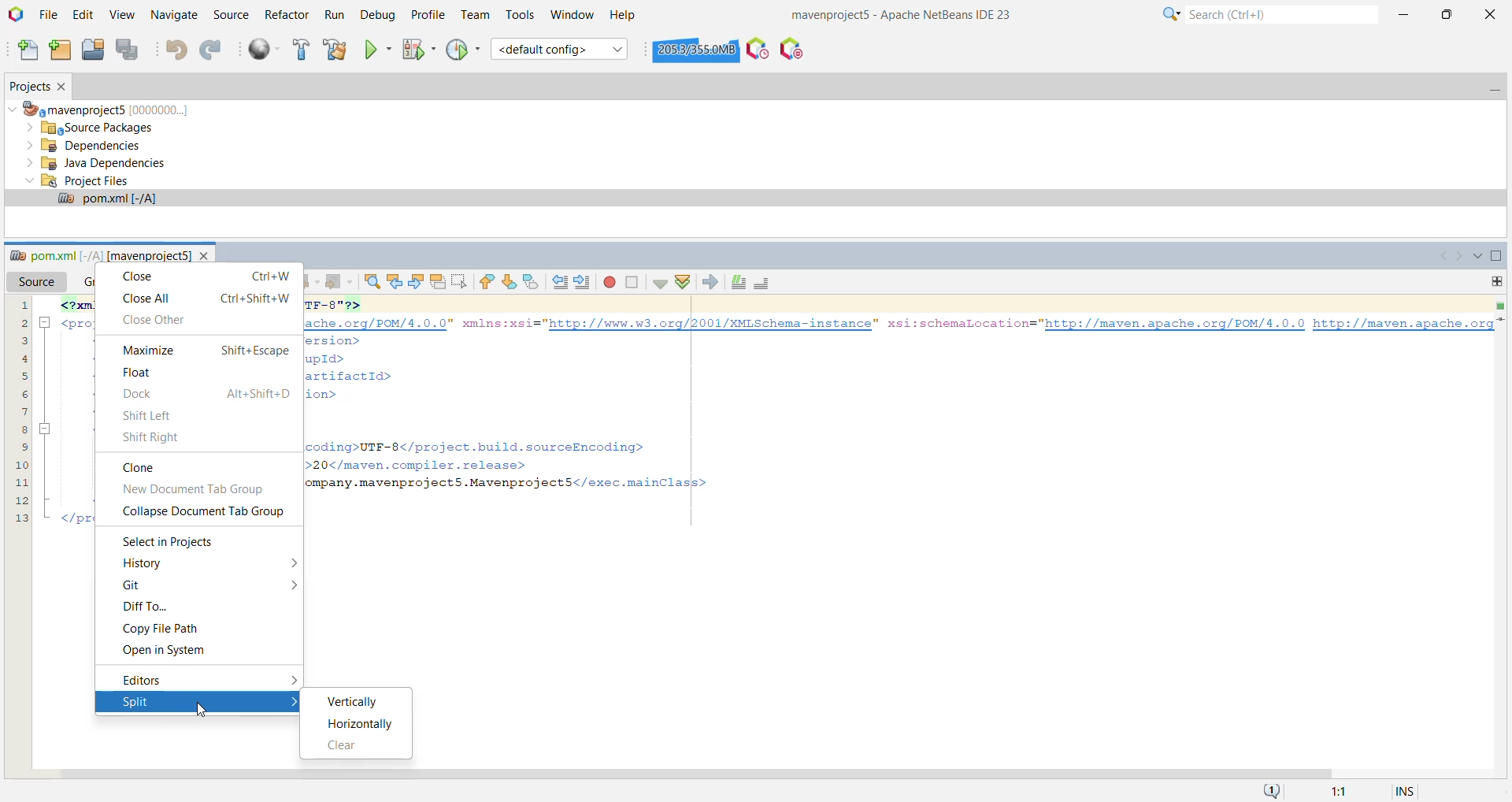 The height and width of the screenshot is (802, 1512). I want to click on Maximize, so click(200, 350).